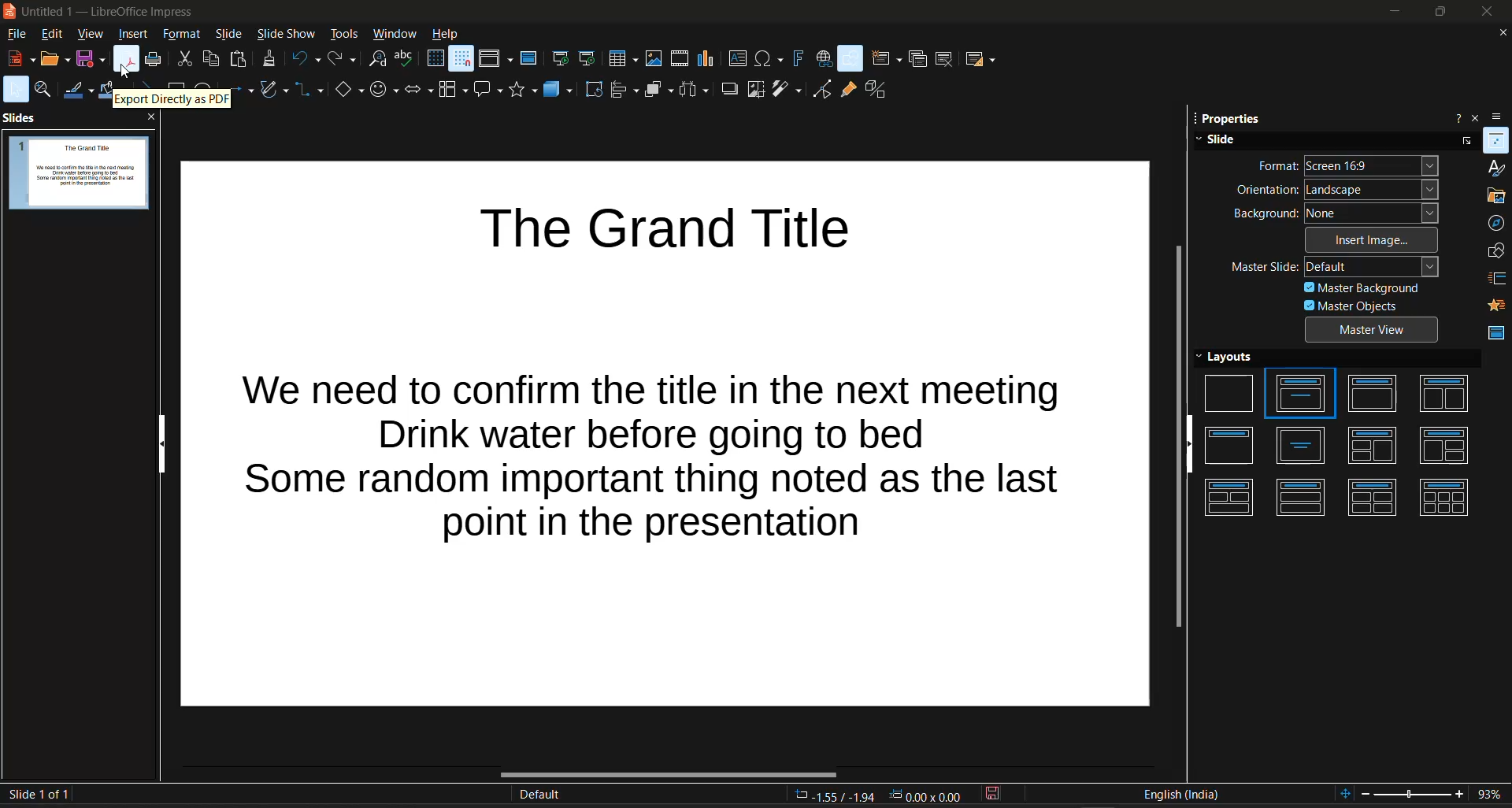 The width and height of the screenshot is (1512, 808). Describe the element at coordinates (788, 91) in the screenshot. I see `filter` at that location.